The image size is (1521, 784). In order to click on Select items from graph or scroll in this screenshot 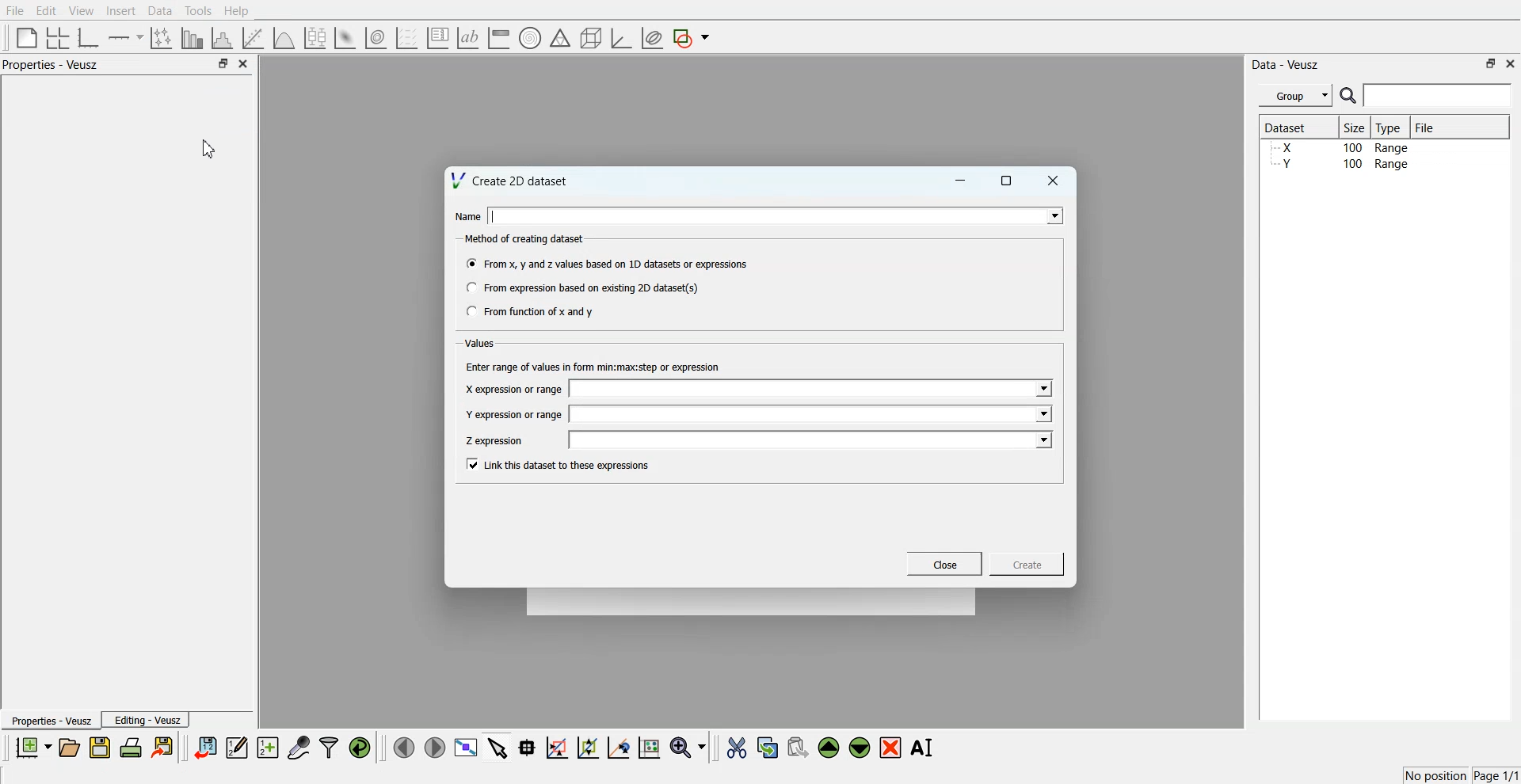, I will do `click(498, 746)`.